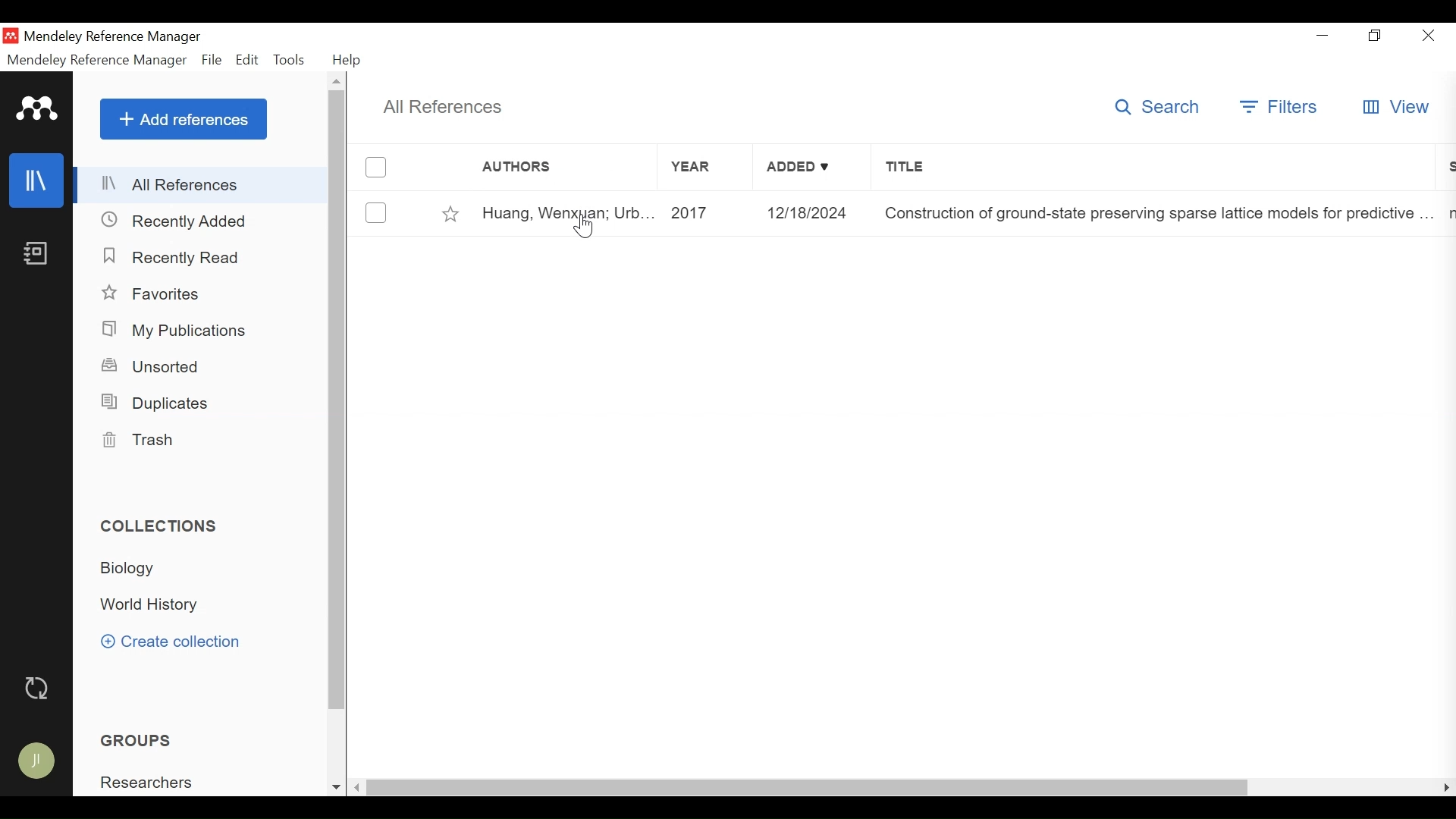 Image resolution: width=1456 pixels, height=819 pixels. Describe the element at coordinates (338, 401) in the screenshot. I see `Vertical Scroll bar` at that location.